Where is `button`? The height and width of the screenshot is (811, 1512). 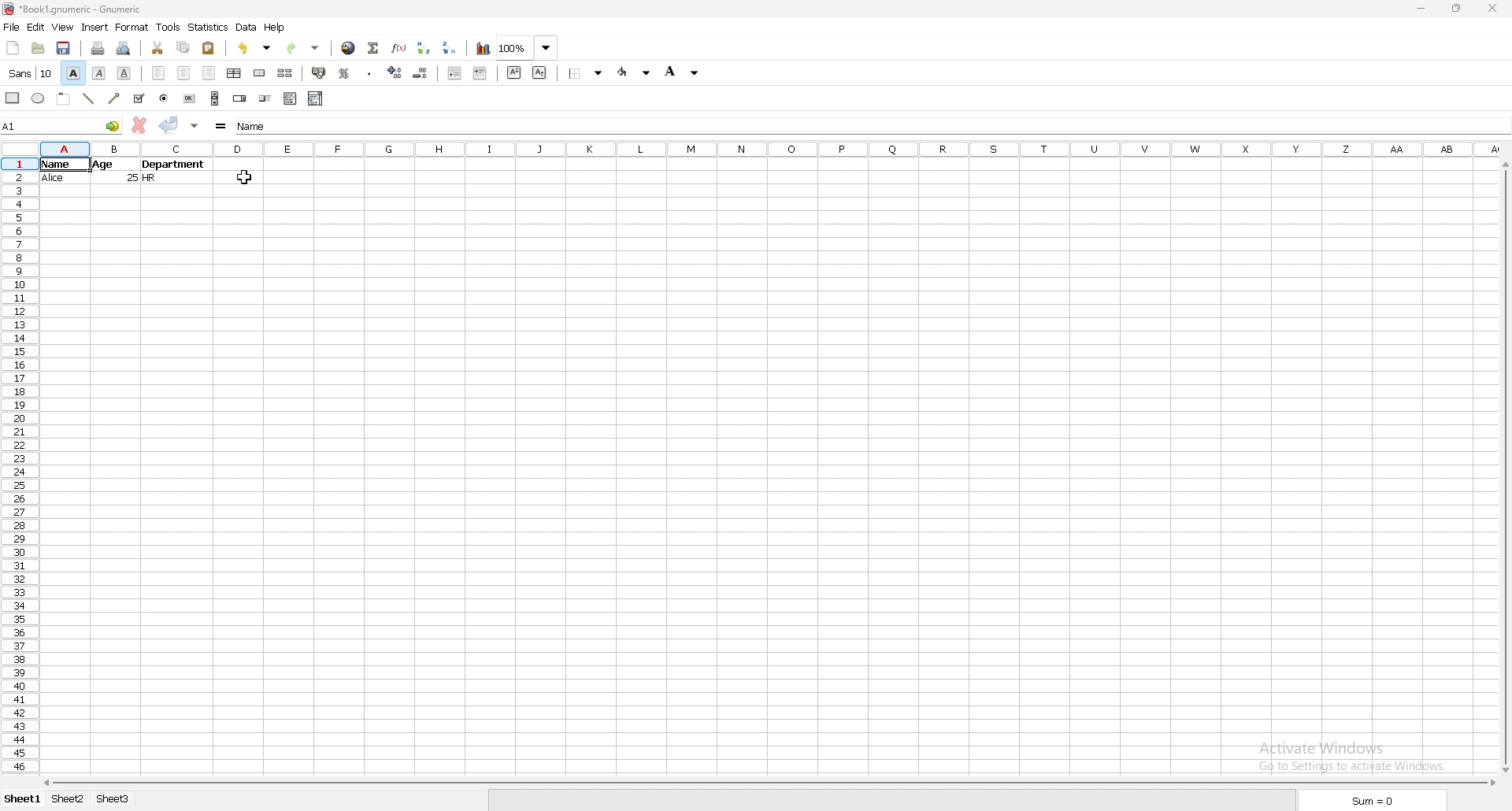 button is located at coordinates (188, 99).